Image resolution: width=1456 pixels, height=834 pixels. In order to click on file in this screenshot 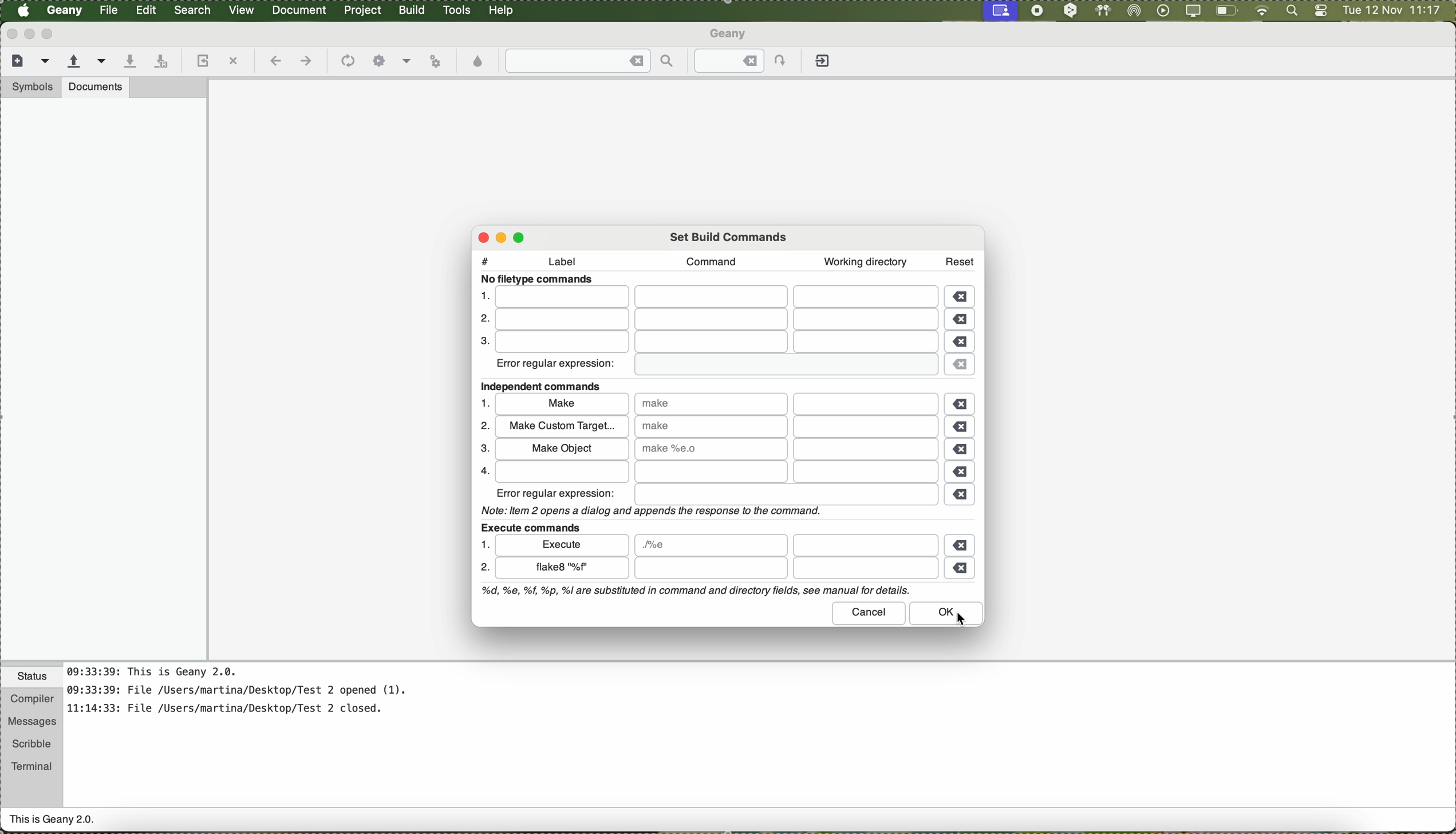, I will do `click(714, 343)`.